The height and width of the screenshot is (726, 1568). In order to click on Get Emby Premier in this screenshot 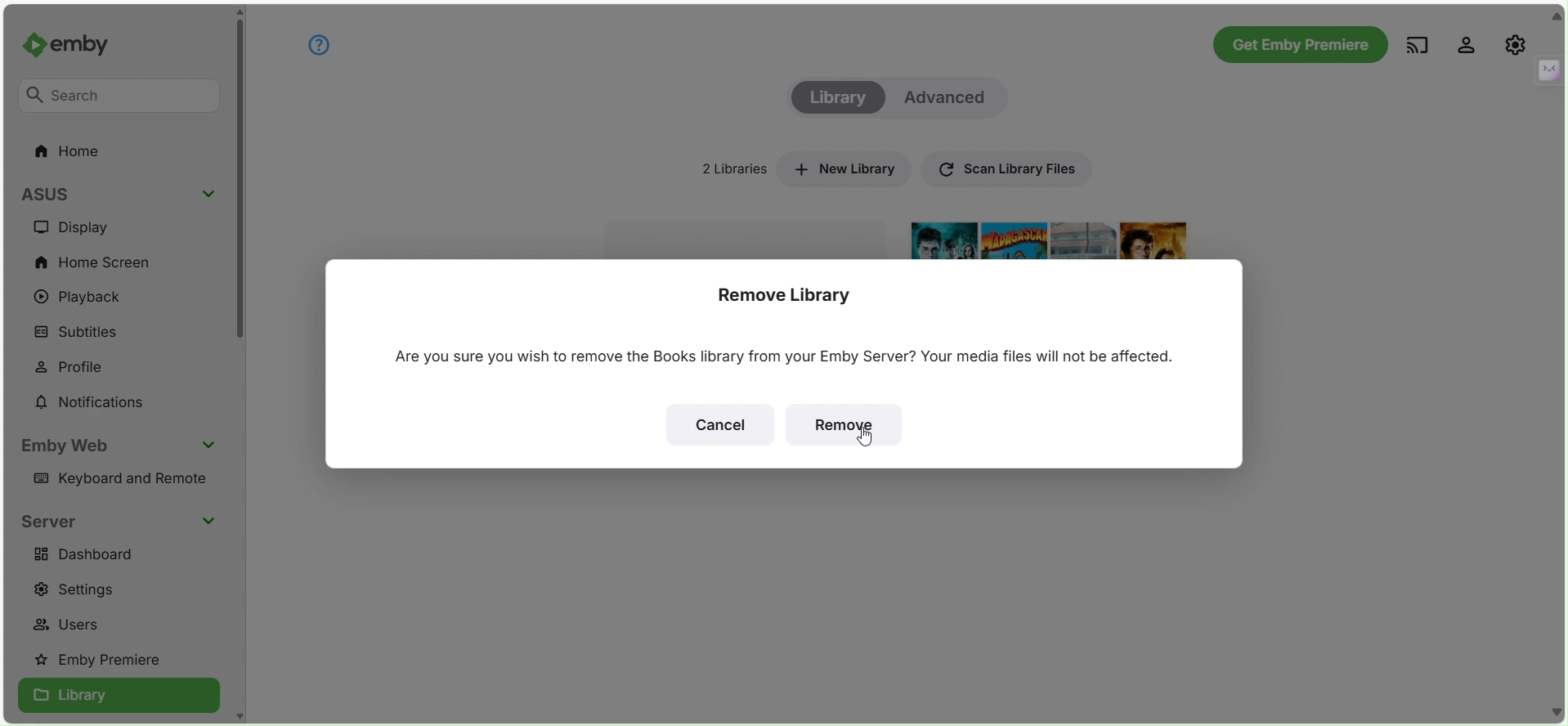, I will do `click(1299, 45)`.